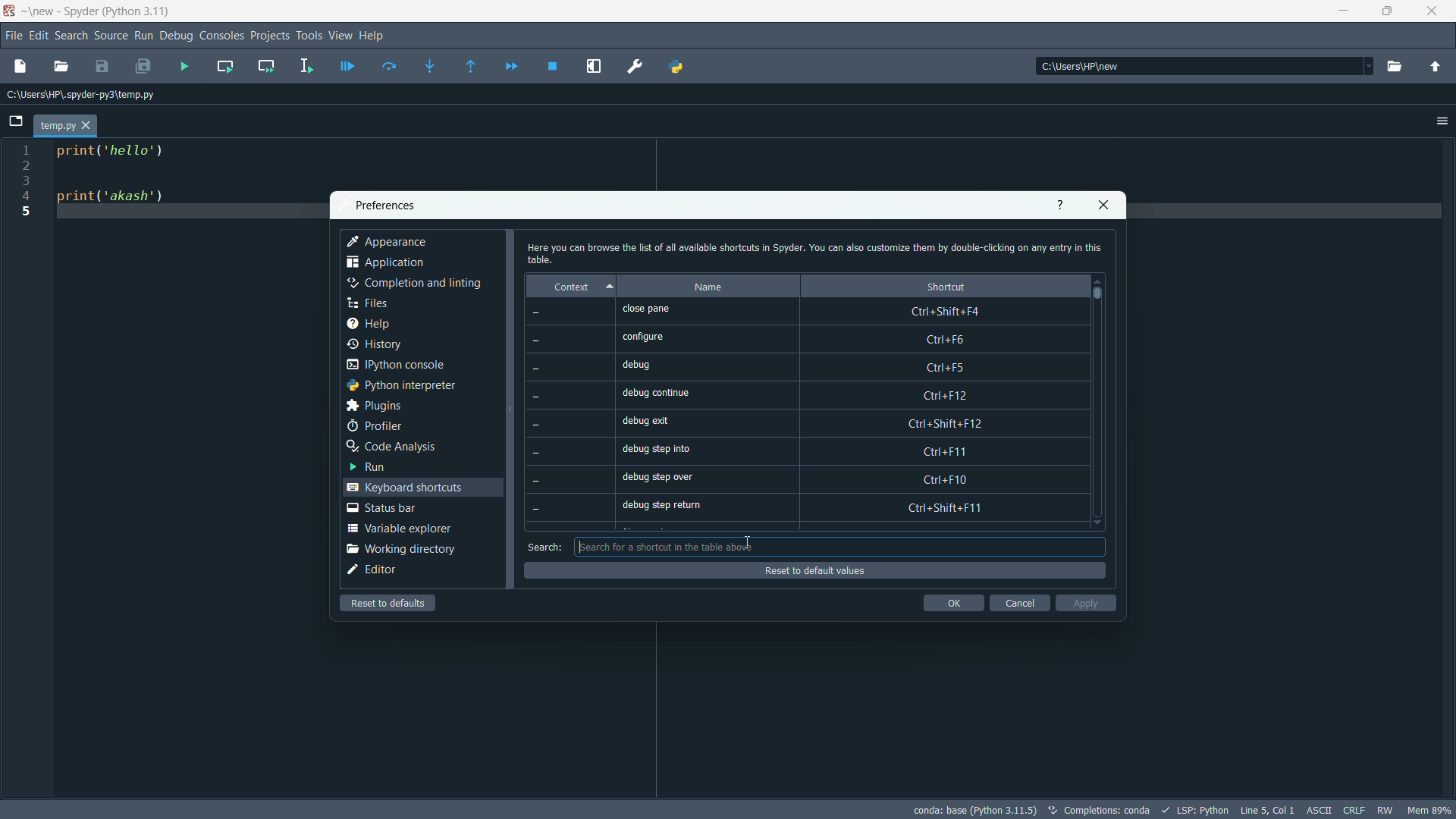 This screenshot has width=1456, height=819. I want to click on shortcut, so click(939, 287).